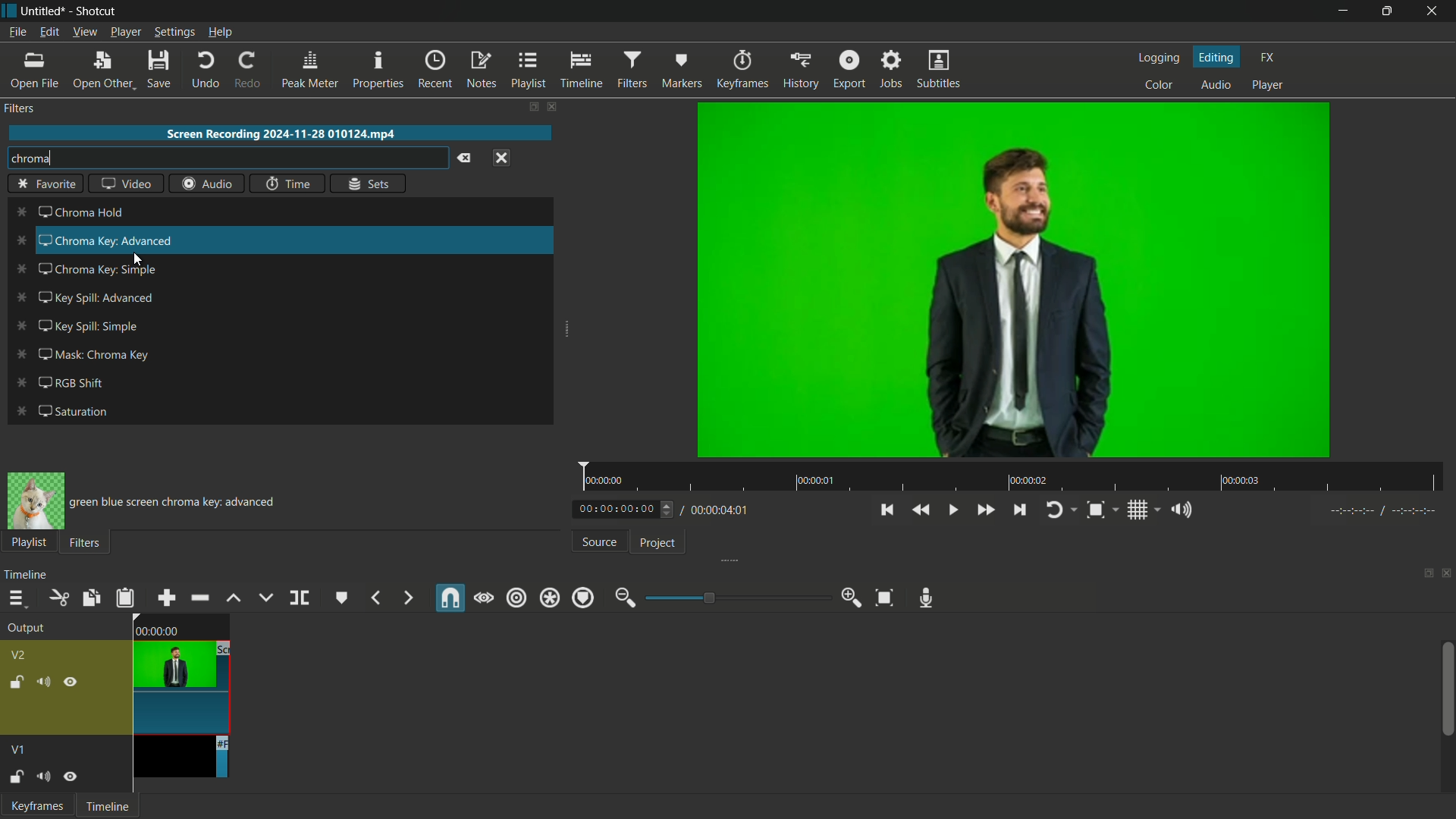  What do you see at coordinates (84, 33) in the screenshot?
I see `view menu` at bounding box center [84, 33].